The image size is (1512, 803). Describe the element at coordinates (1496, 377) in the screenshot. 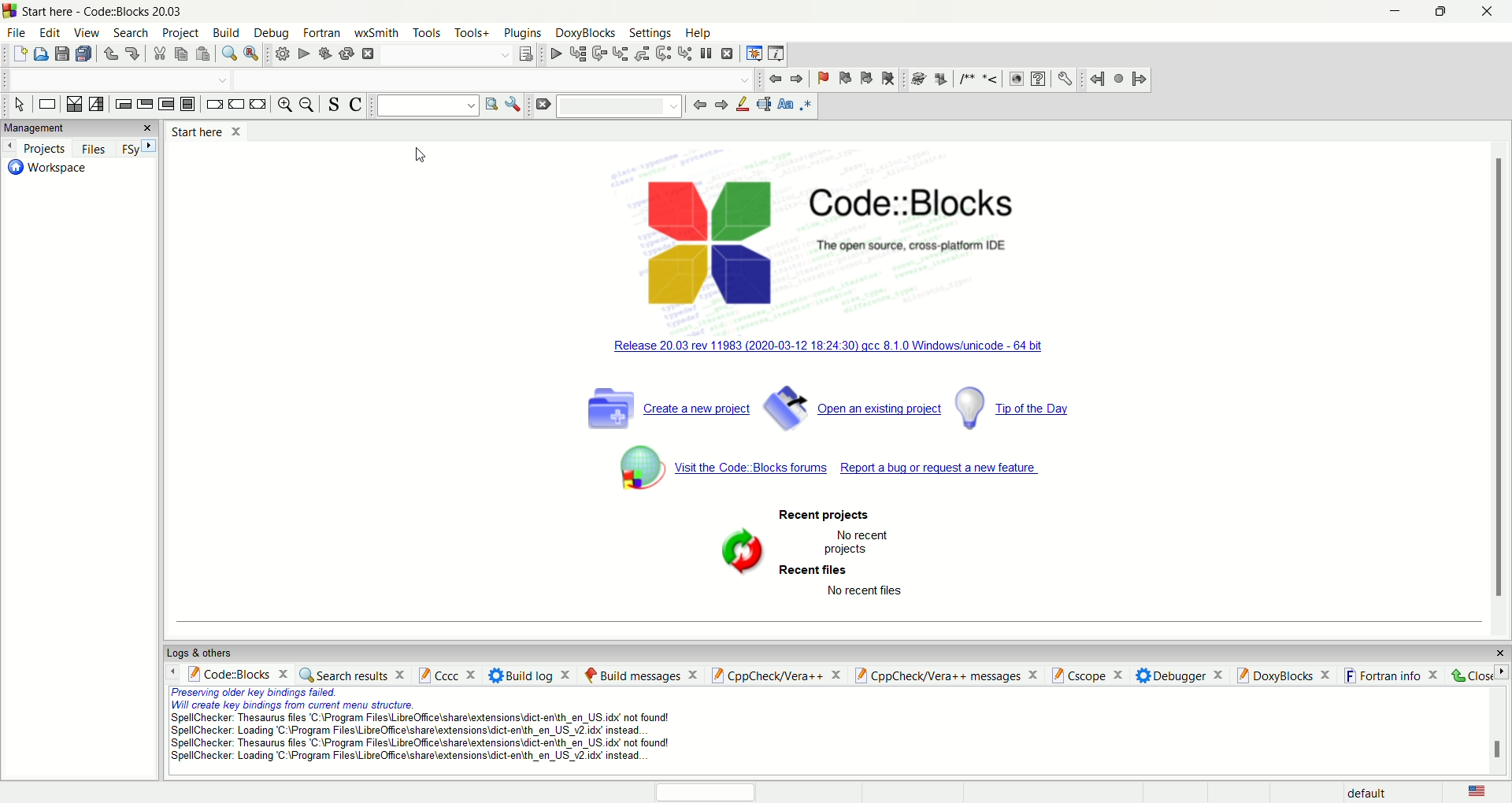

I see `Scroll bar` at that location.